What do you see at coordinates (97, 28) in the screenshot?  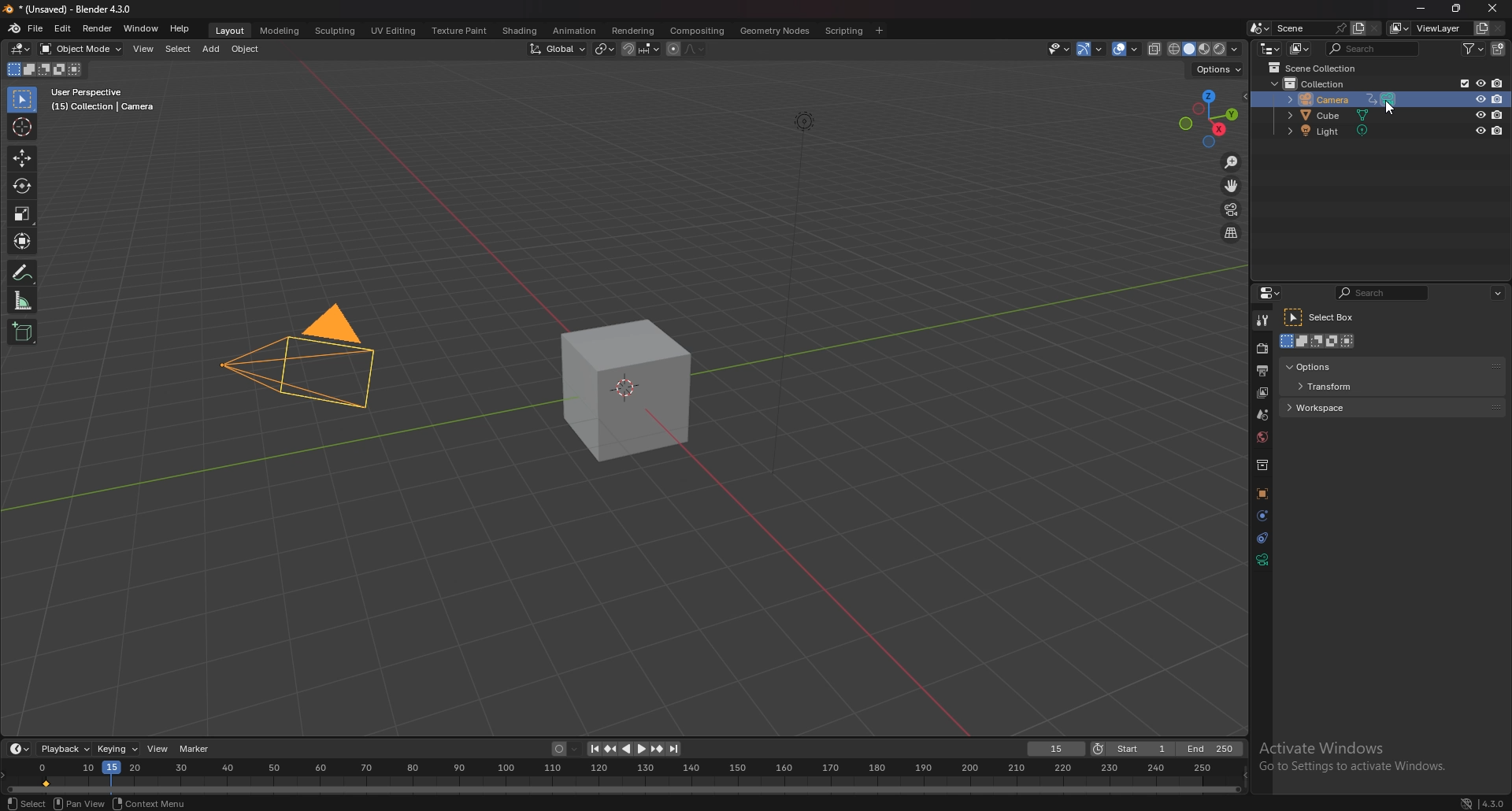 I see `render` at bounding box center [97, 28].